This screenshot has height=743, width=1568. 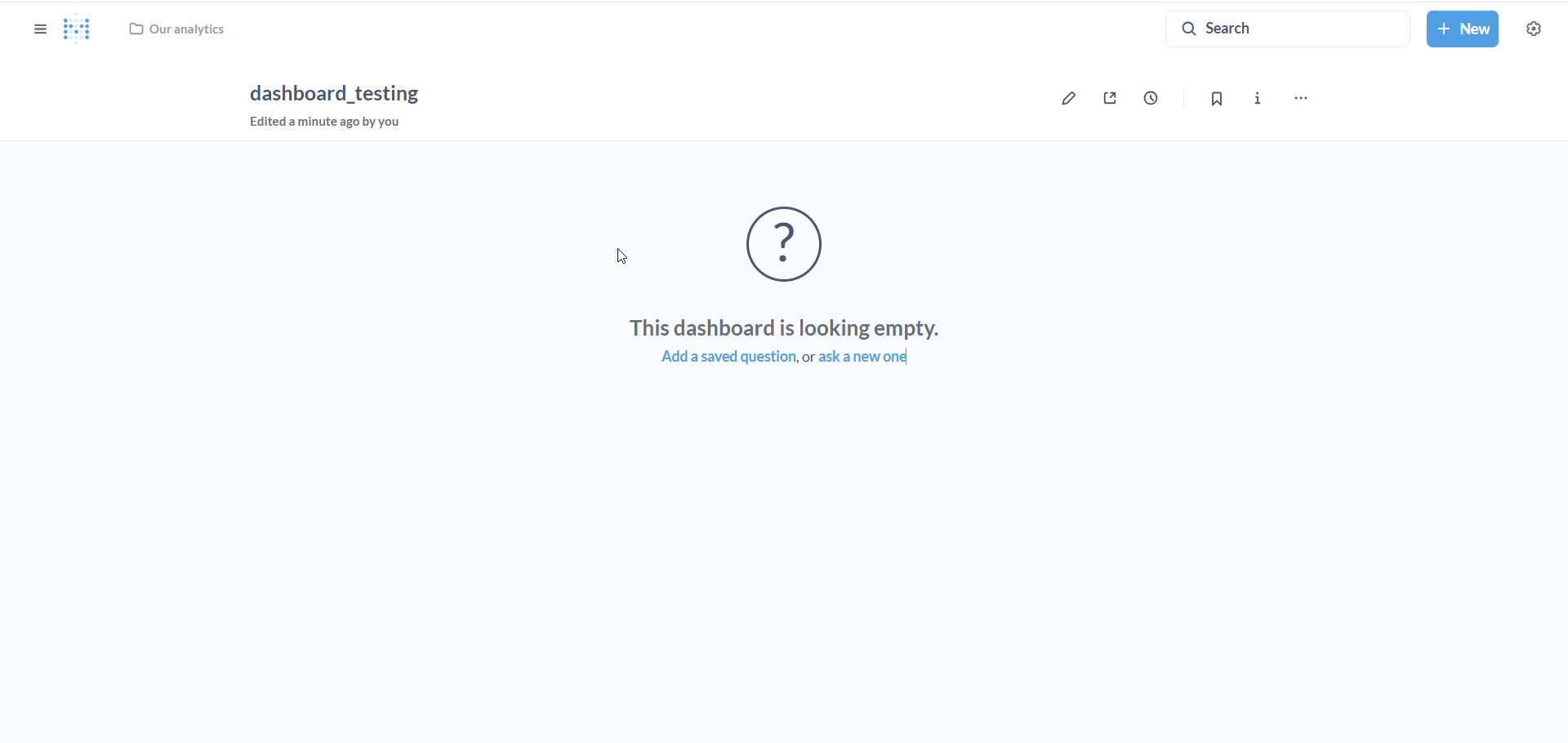 What do you see at coordinates (1115, 101) in the screenshot?
I see `export` at bounding box center [1115, 101].